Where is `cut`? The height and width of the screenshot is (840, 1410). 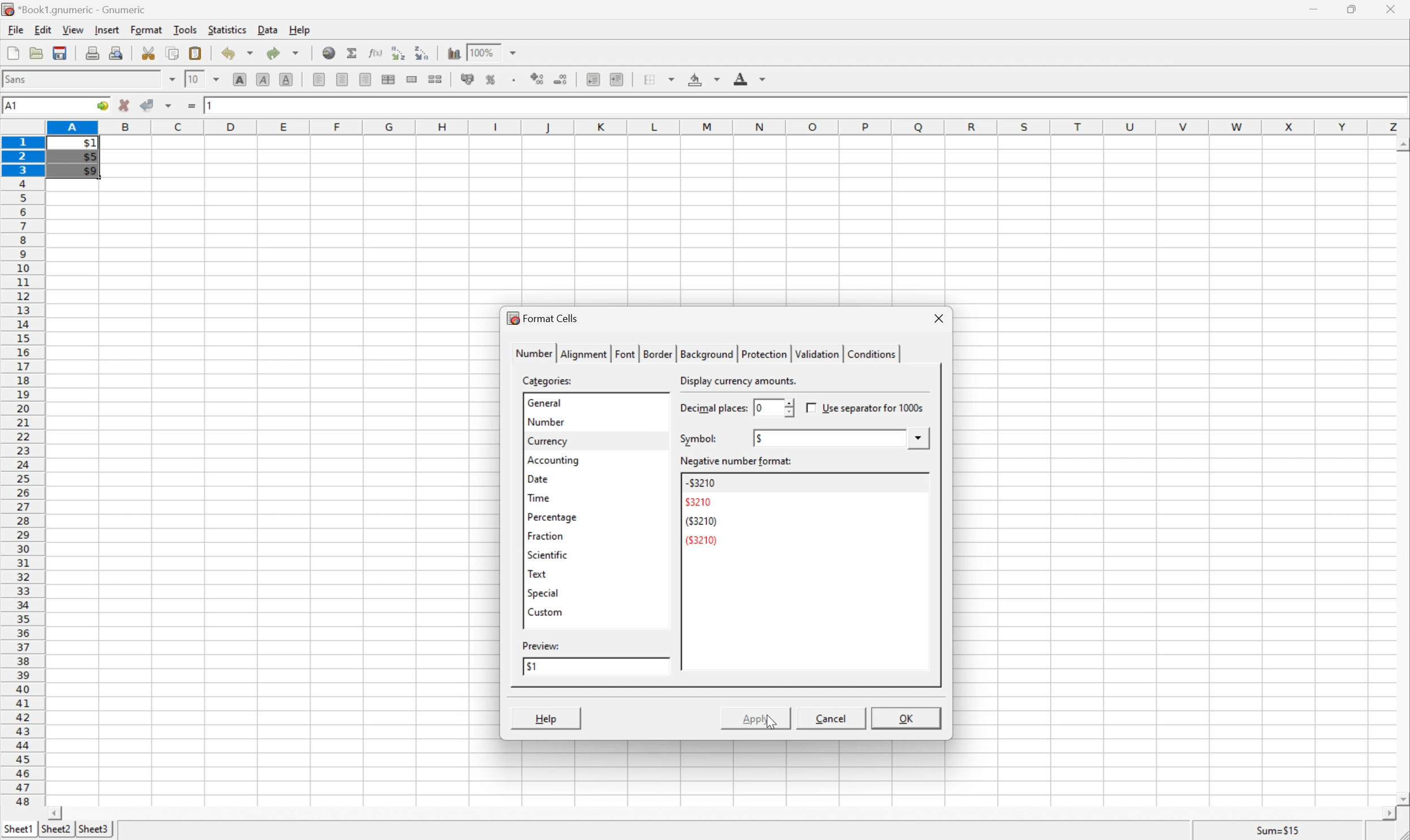
cut is located at coordinates (148, 52).